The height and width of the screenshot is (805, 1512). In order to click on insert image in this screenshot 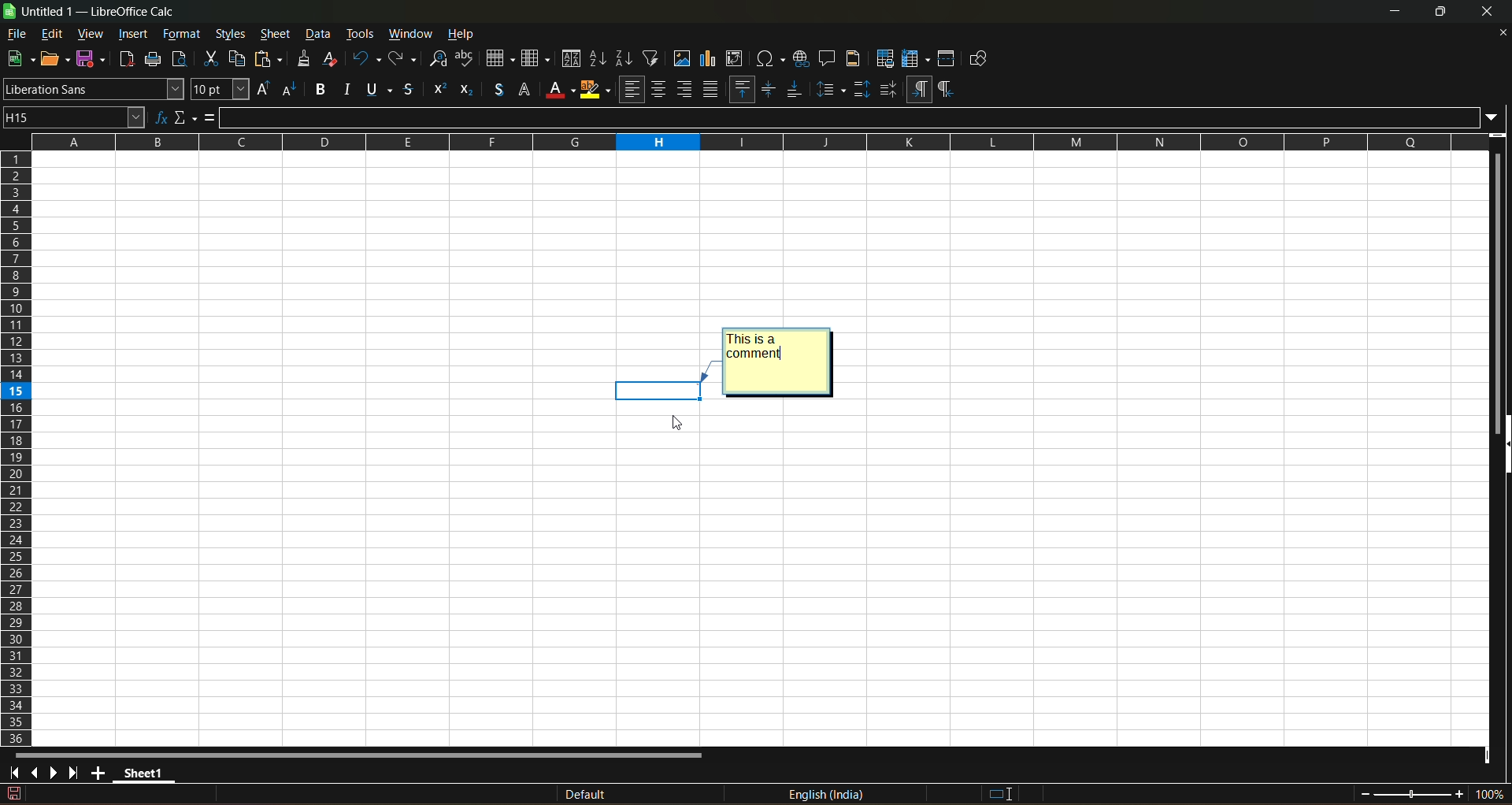, I will do `click(682, 58)`.